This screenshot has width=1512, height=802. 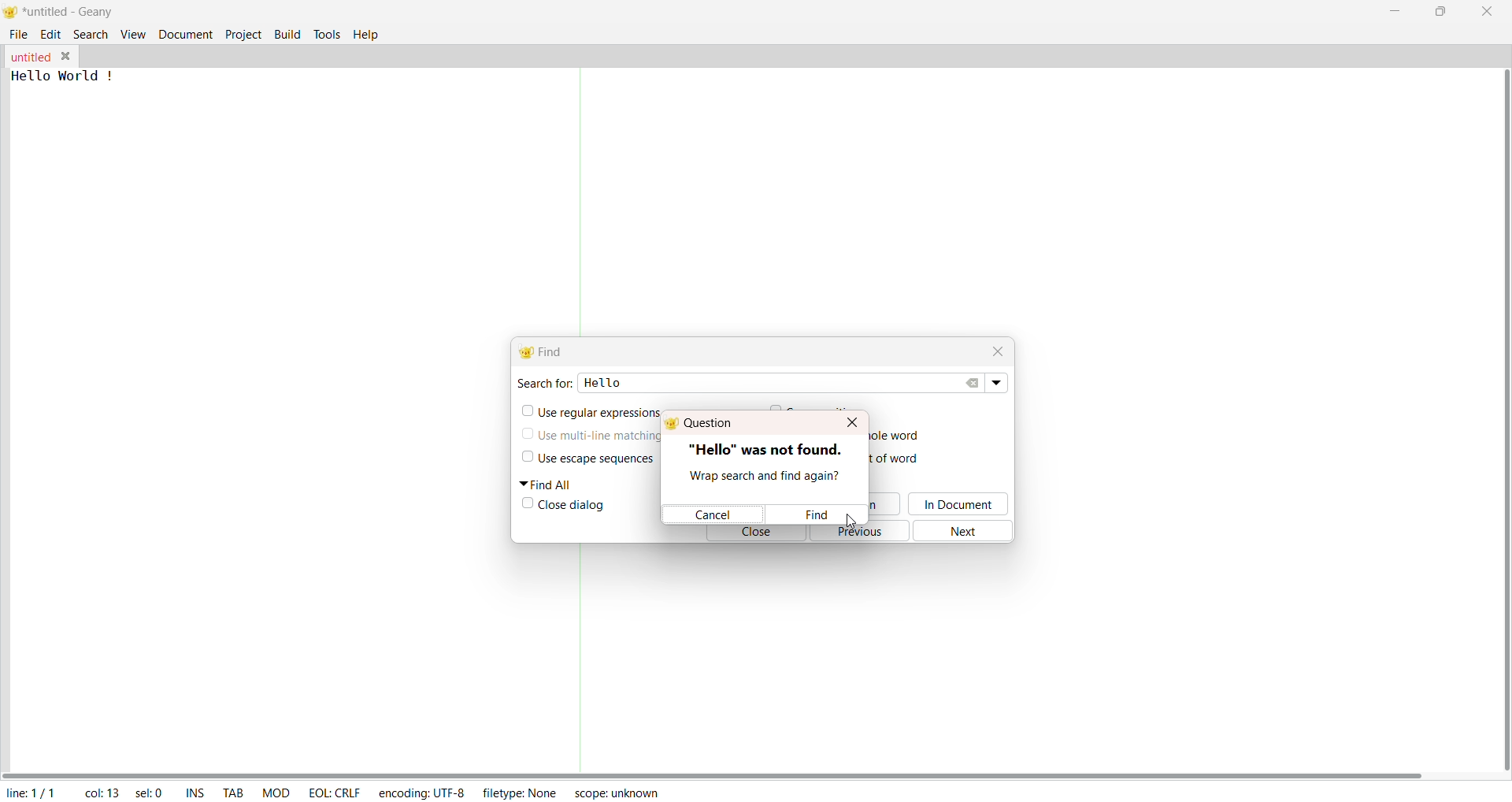 I want to click on INS, so click(x=192, y=791).